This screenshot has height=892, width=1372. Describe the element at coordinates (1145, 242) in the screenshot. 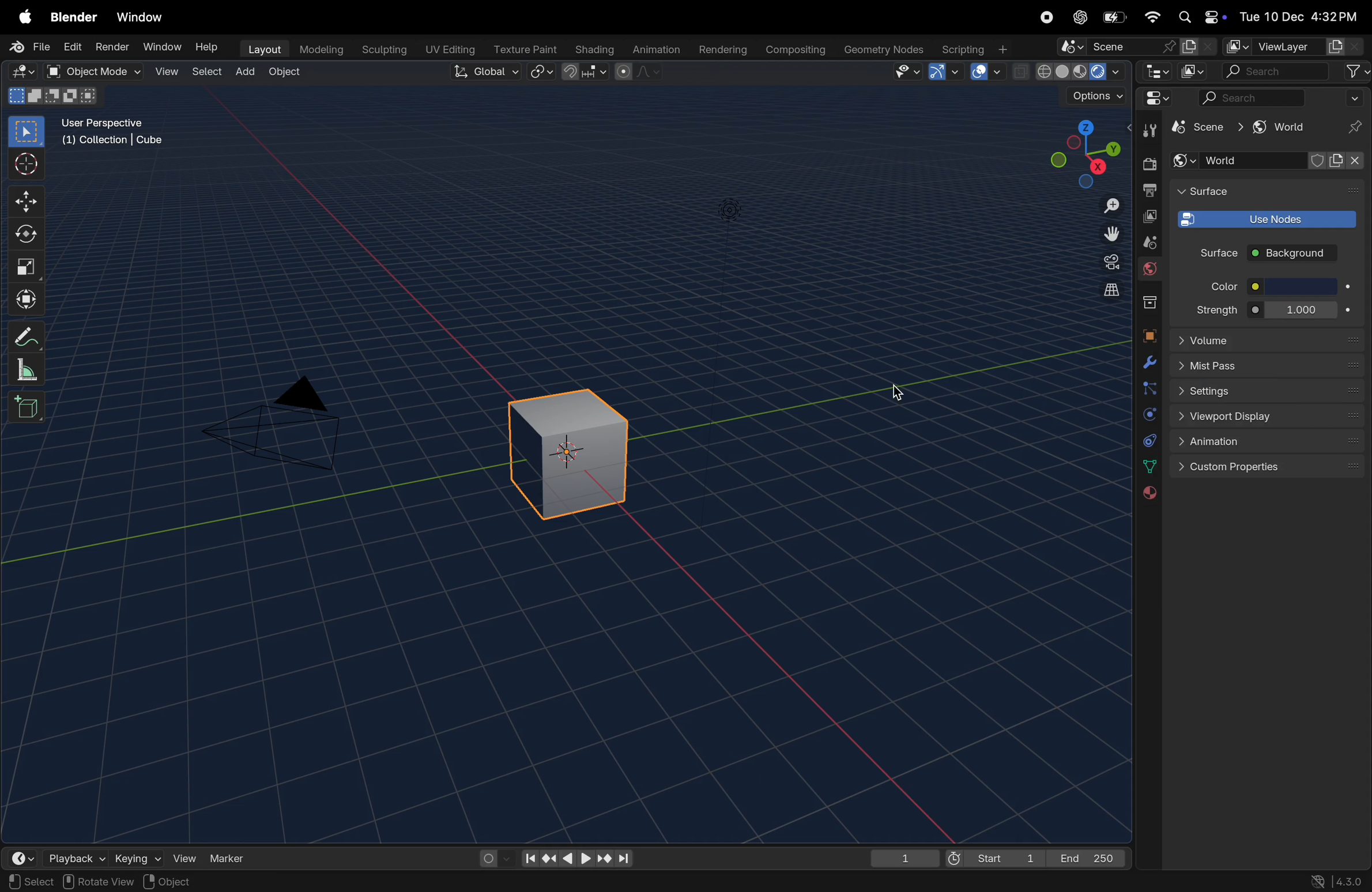

I see `scene` at that location.